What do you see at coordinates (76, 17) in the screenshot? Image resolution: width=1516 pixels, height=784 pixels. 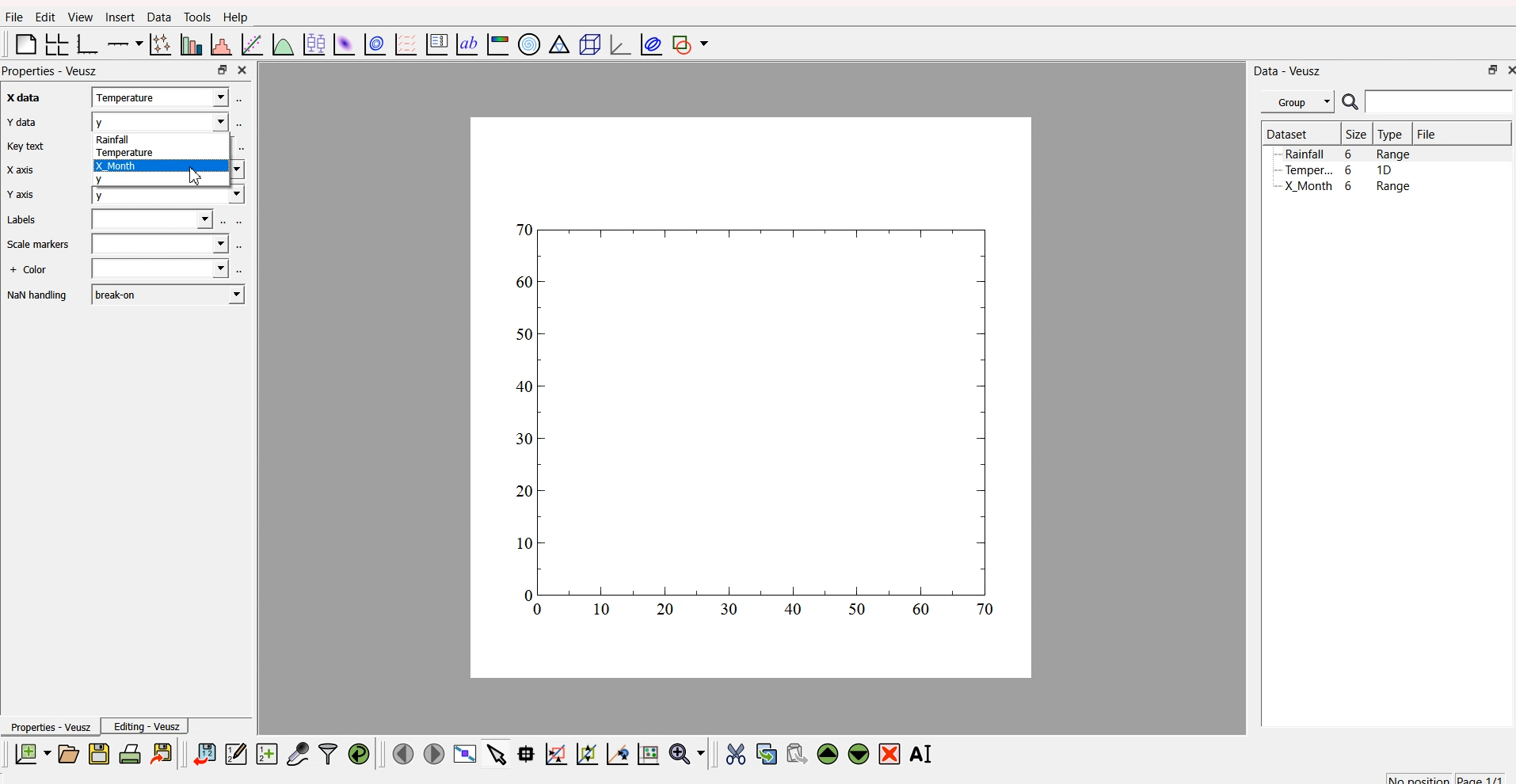 I see `View` at bounding box center [76, 17].